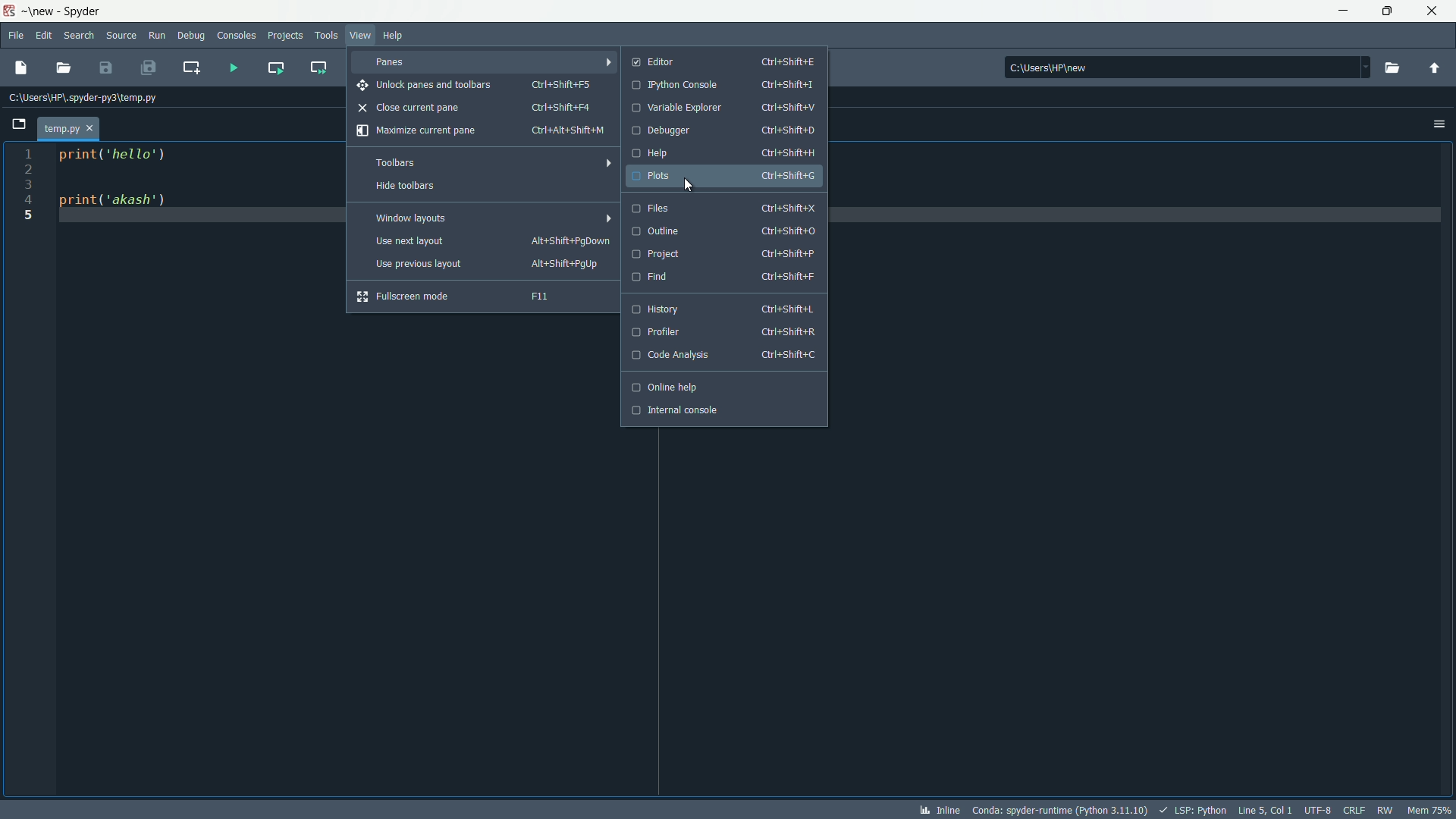  Describe the element at coordinates (485, 61) in the screenshot. I see `panes` at that location.